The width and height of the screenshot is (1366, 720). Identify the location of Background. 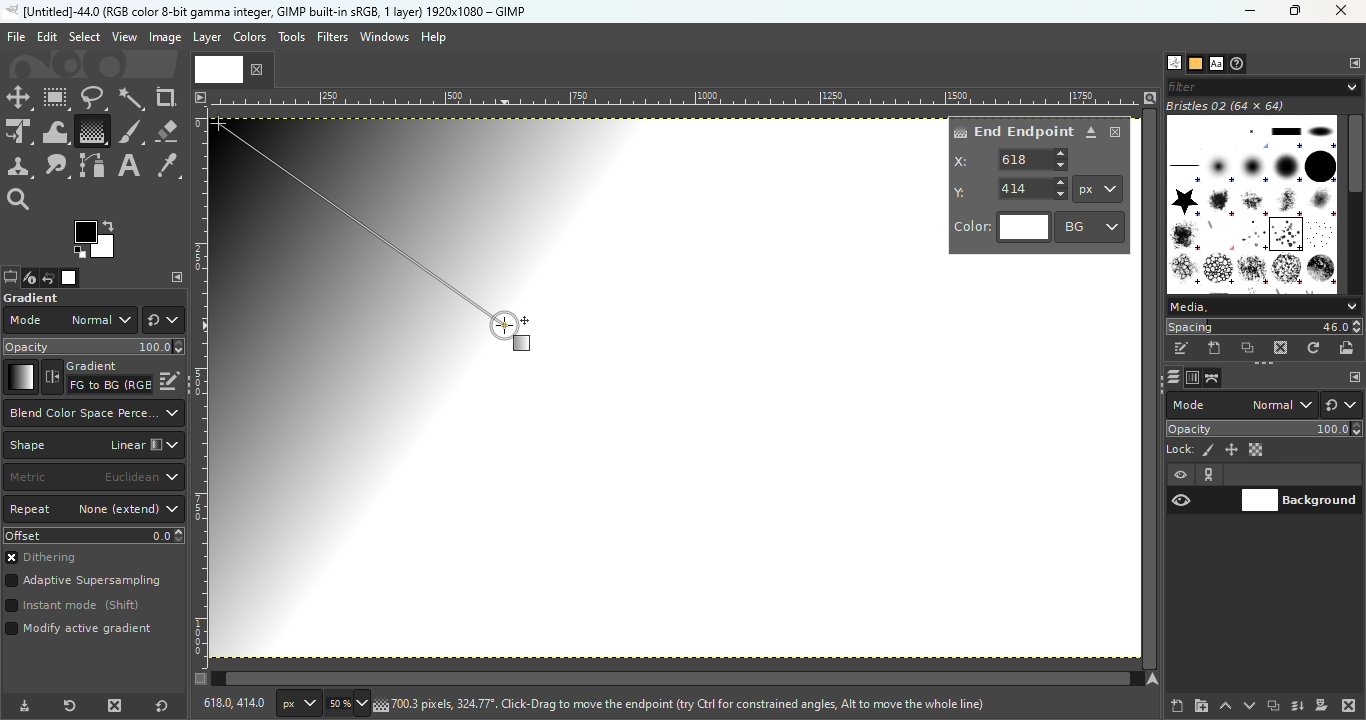
(1300, 498).